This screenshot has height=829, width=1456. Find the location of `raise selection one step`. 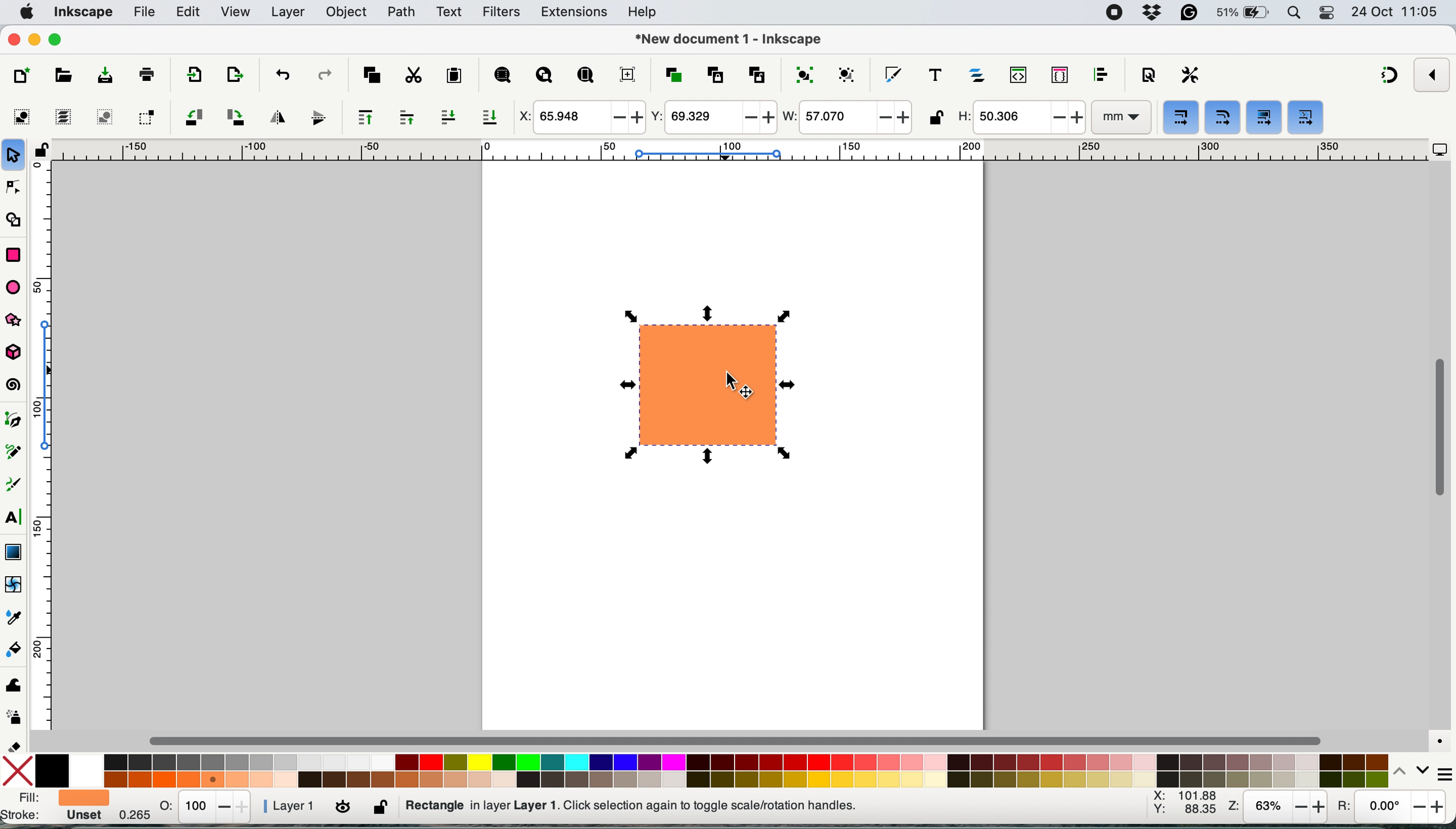

raise selection one step is located at coordinates (406, 118).